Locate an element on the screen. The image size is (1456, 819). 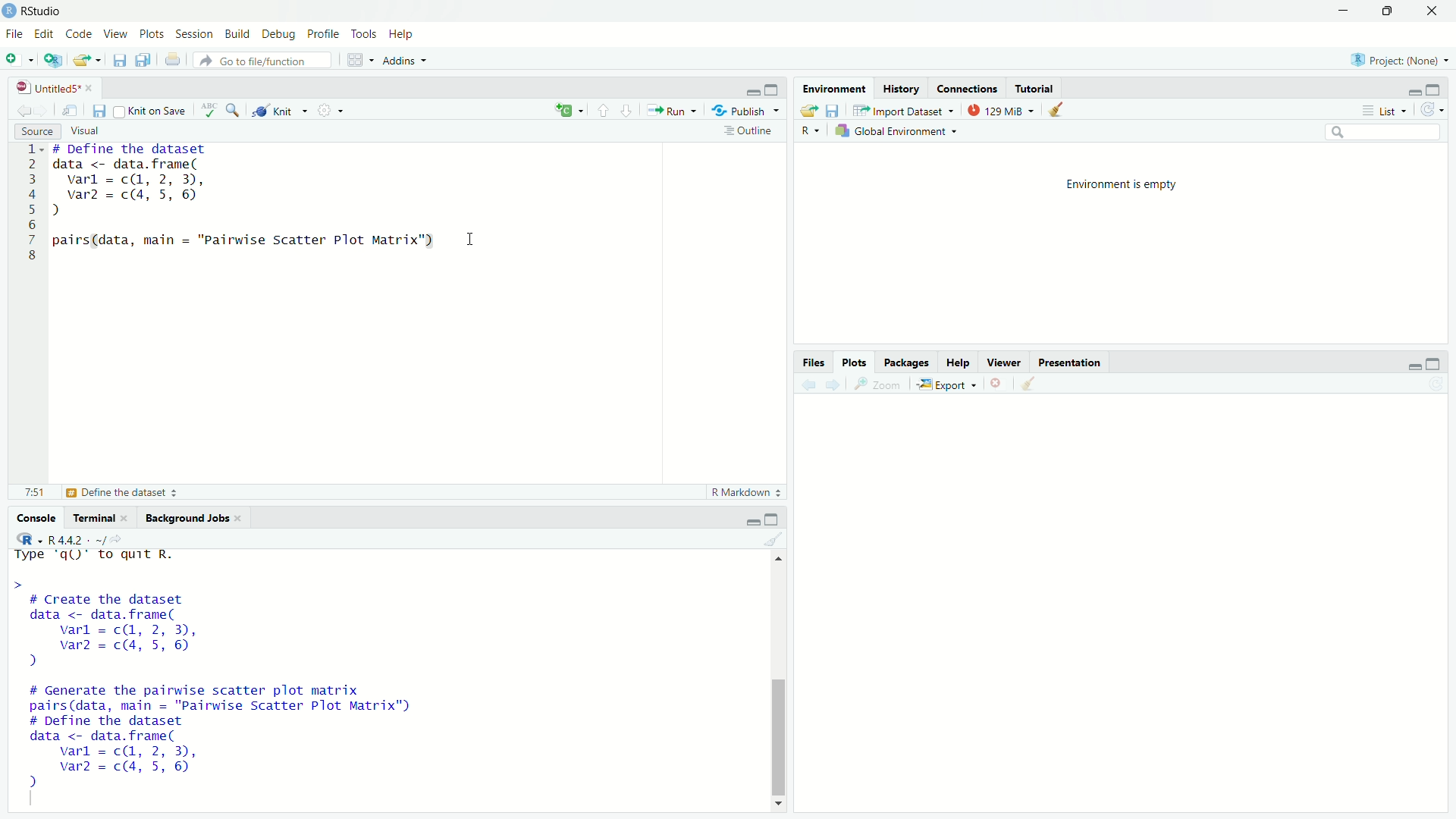
File is located at coordinates (15, 34).